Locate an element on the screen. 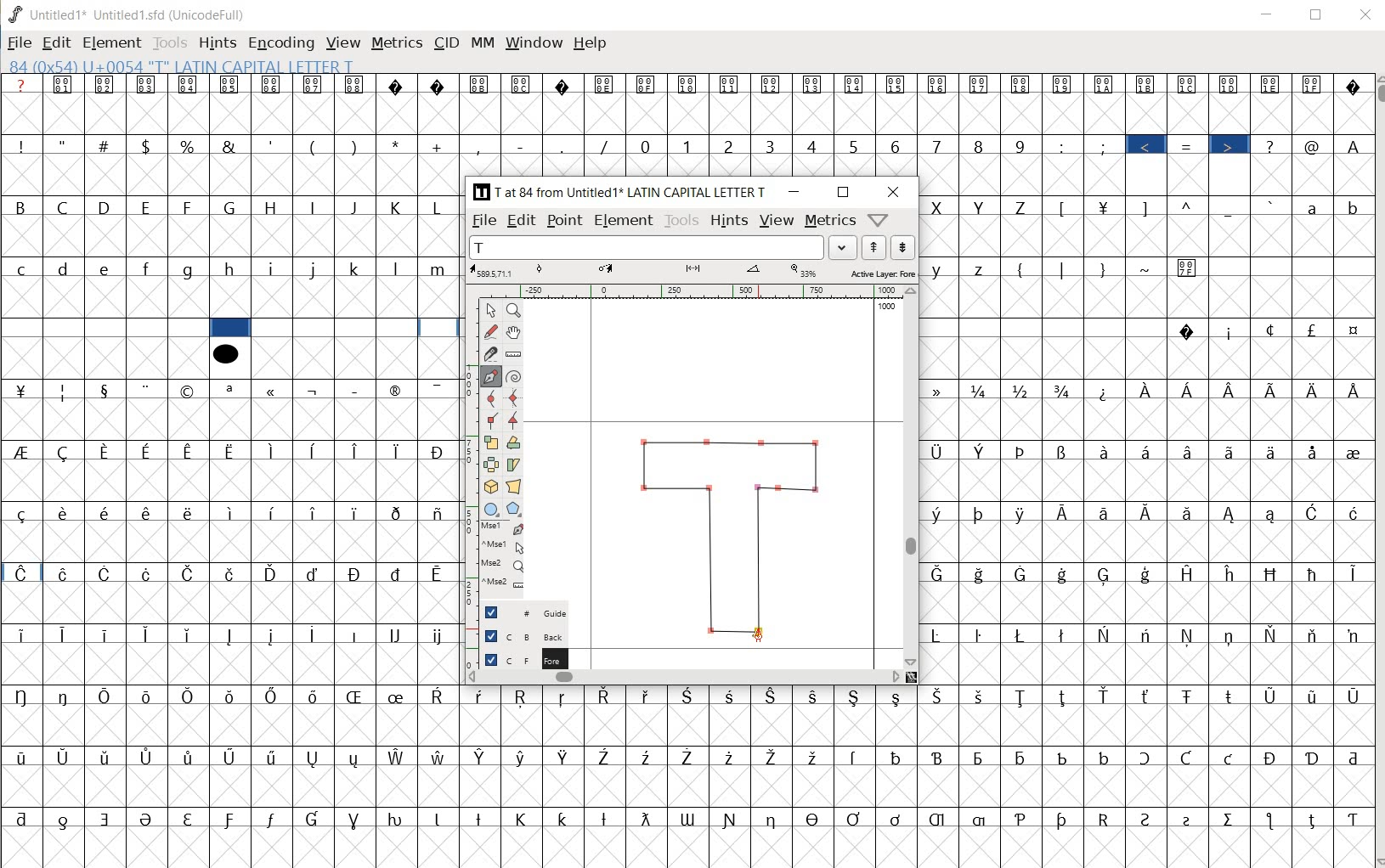 The height and width of the screenshot is (868, 1385). l is located at coordinates (399, 268).